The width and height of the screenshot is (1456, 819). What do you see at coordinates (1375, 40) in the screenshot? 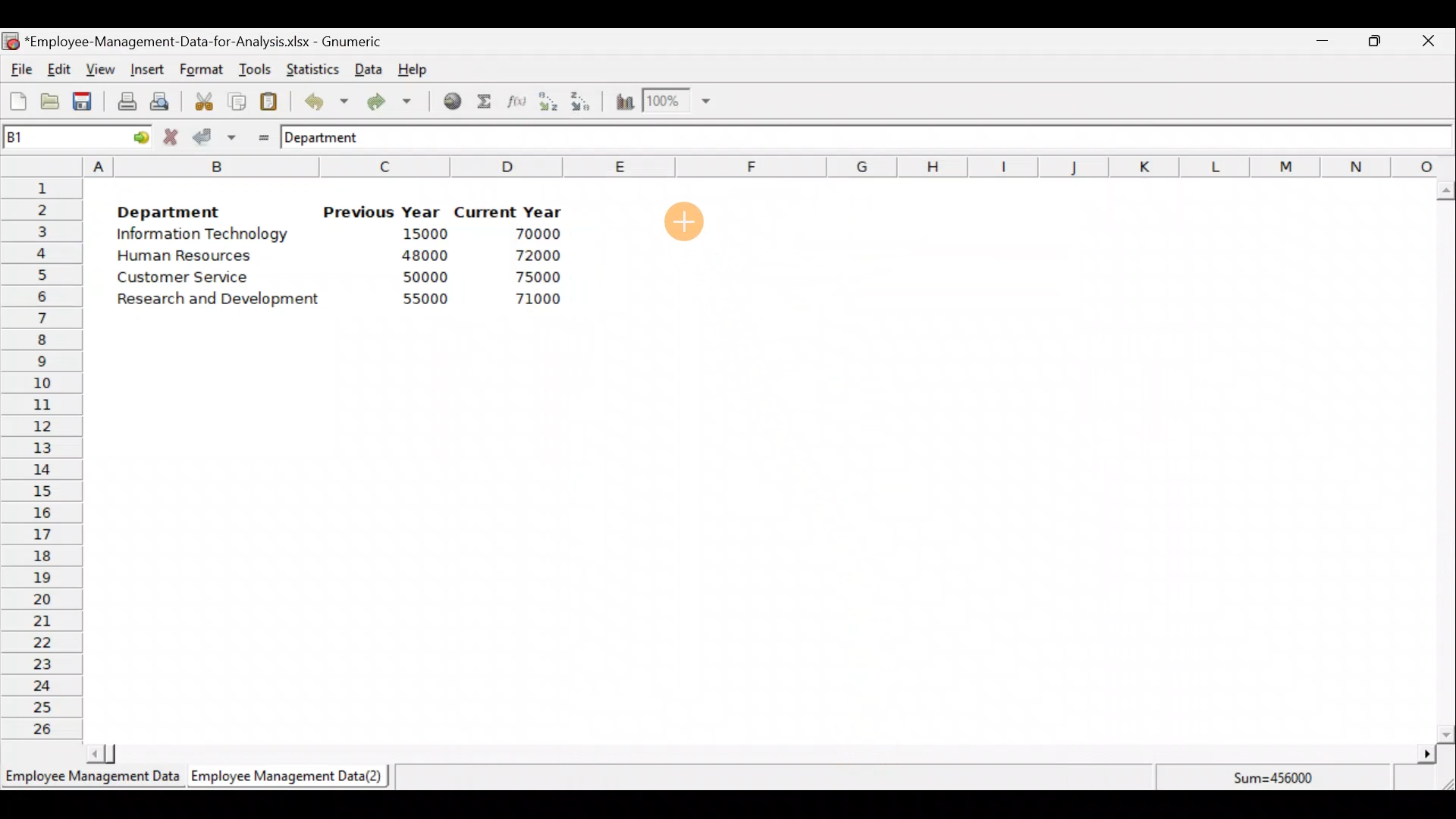
I see `Maximize` at bounding box center [1375, 40].